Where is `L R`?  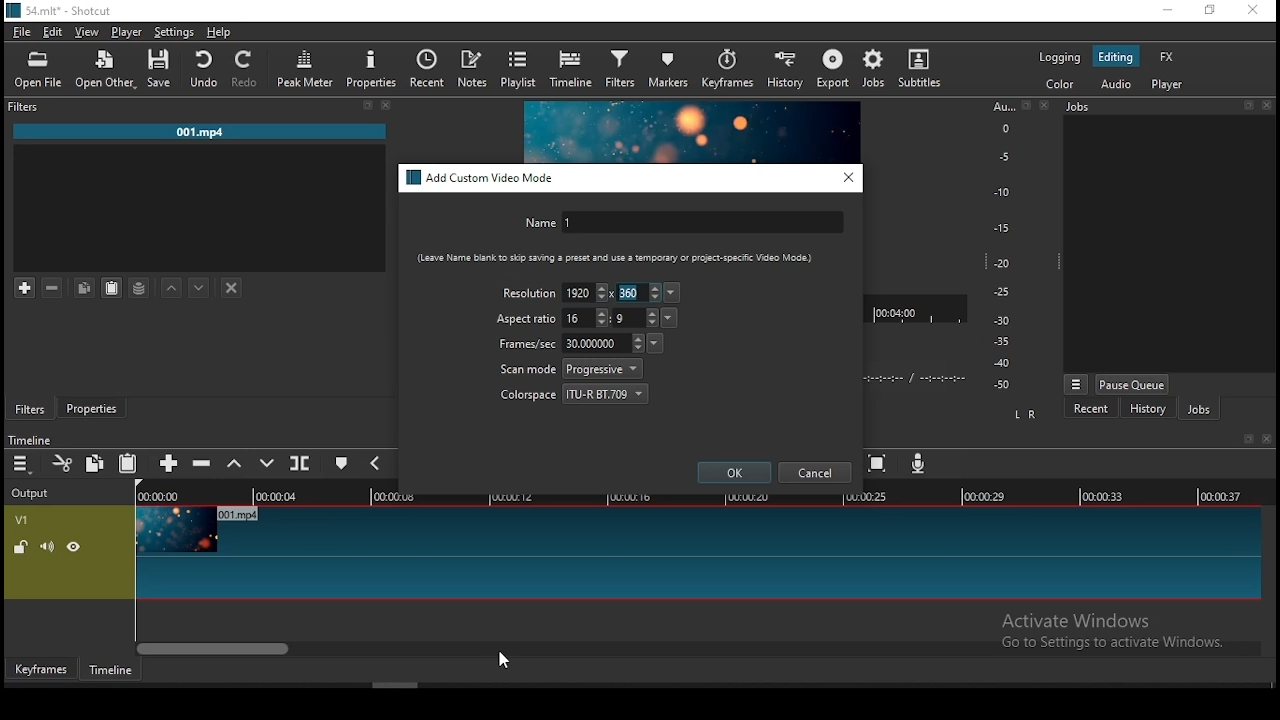 L R is located at coordinates (1027, 415).